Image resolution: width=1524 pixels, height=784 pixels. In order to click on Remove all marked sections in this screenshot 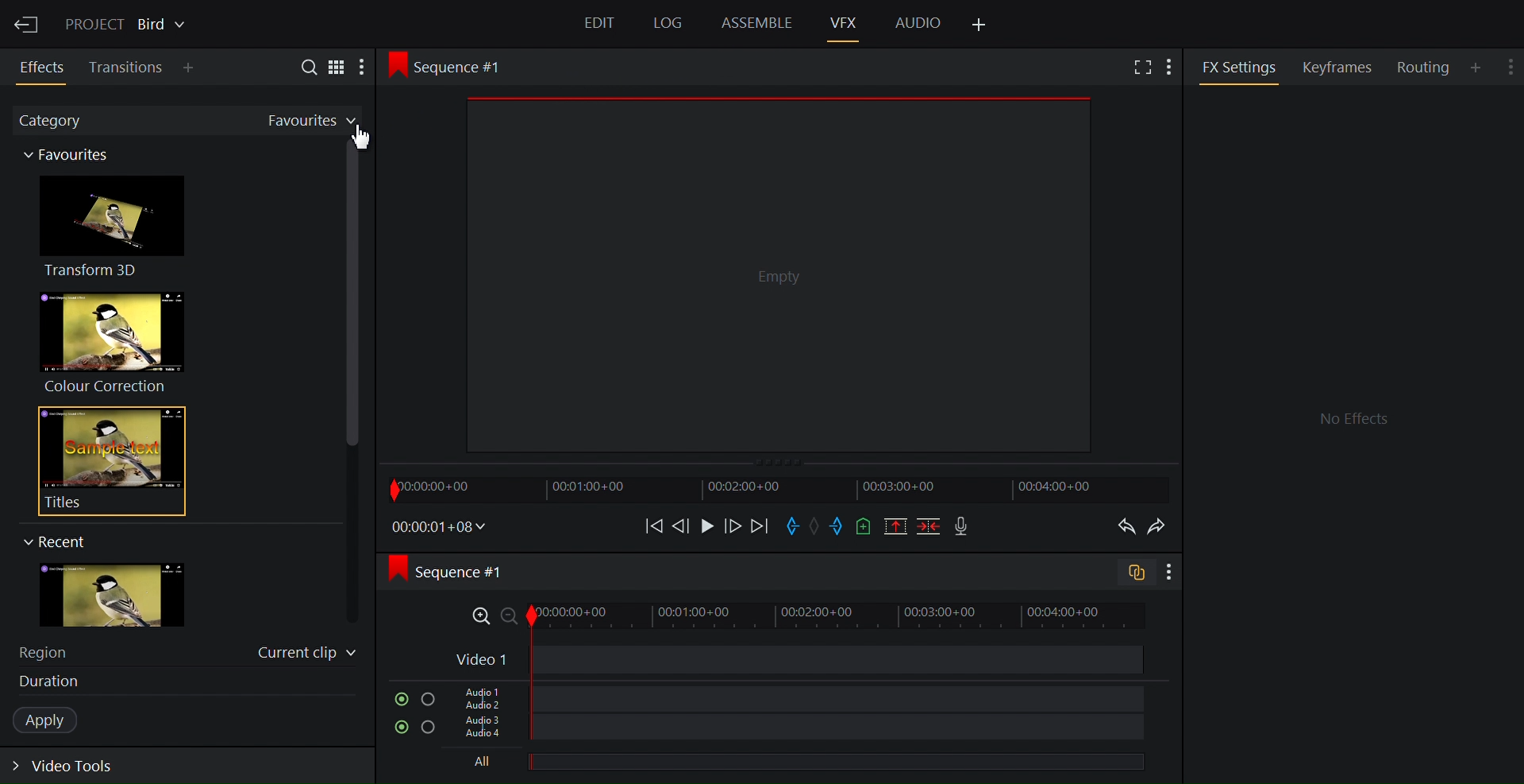, I will do `click(897, 528)`.